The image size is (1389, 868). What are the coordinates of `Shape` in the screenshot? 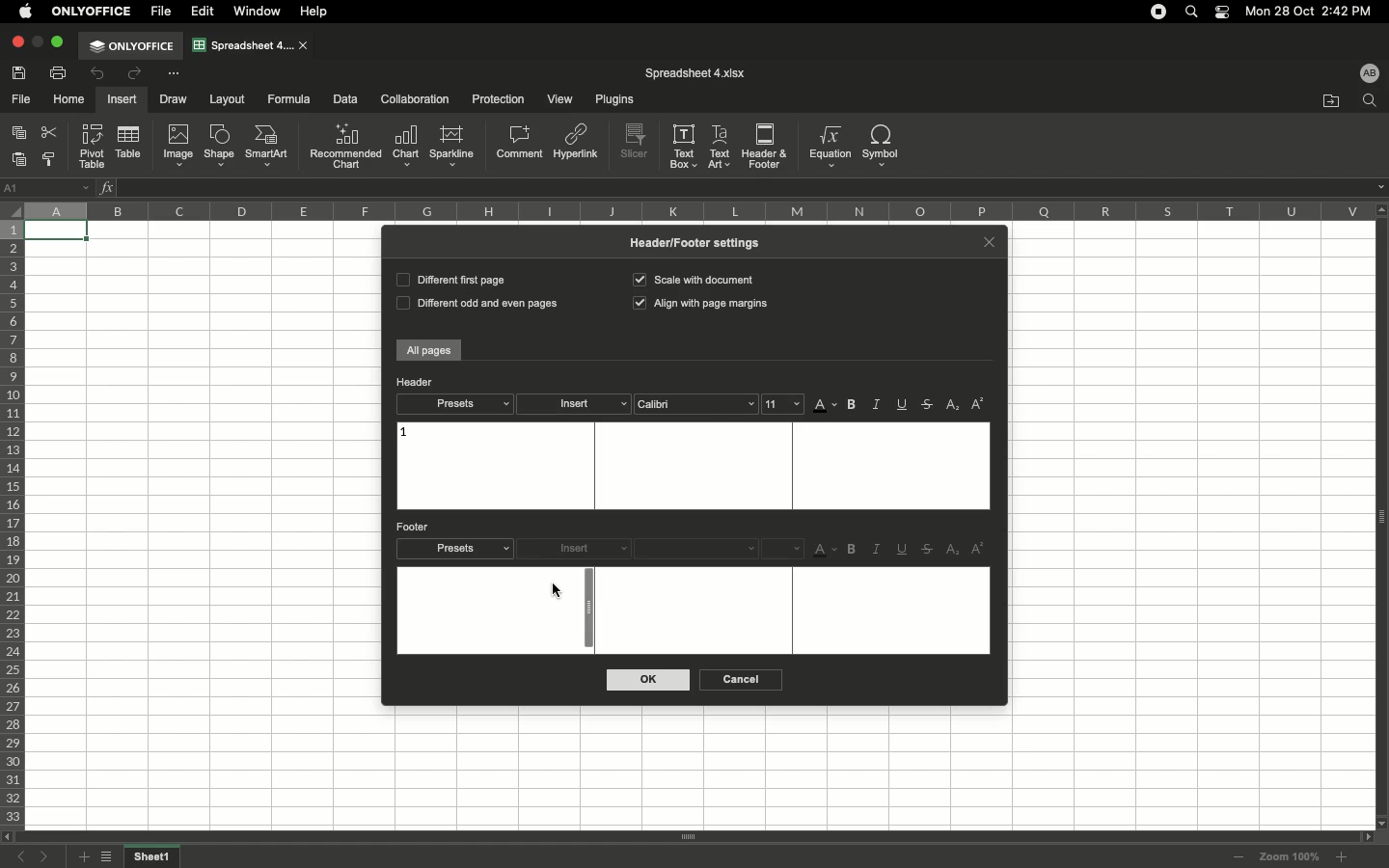 It's located at (219, 147).